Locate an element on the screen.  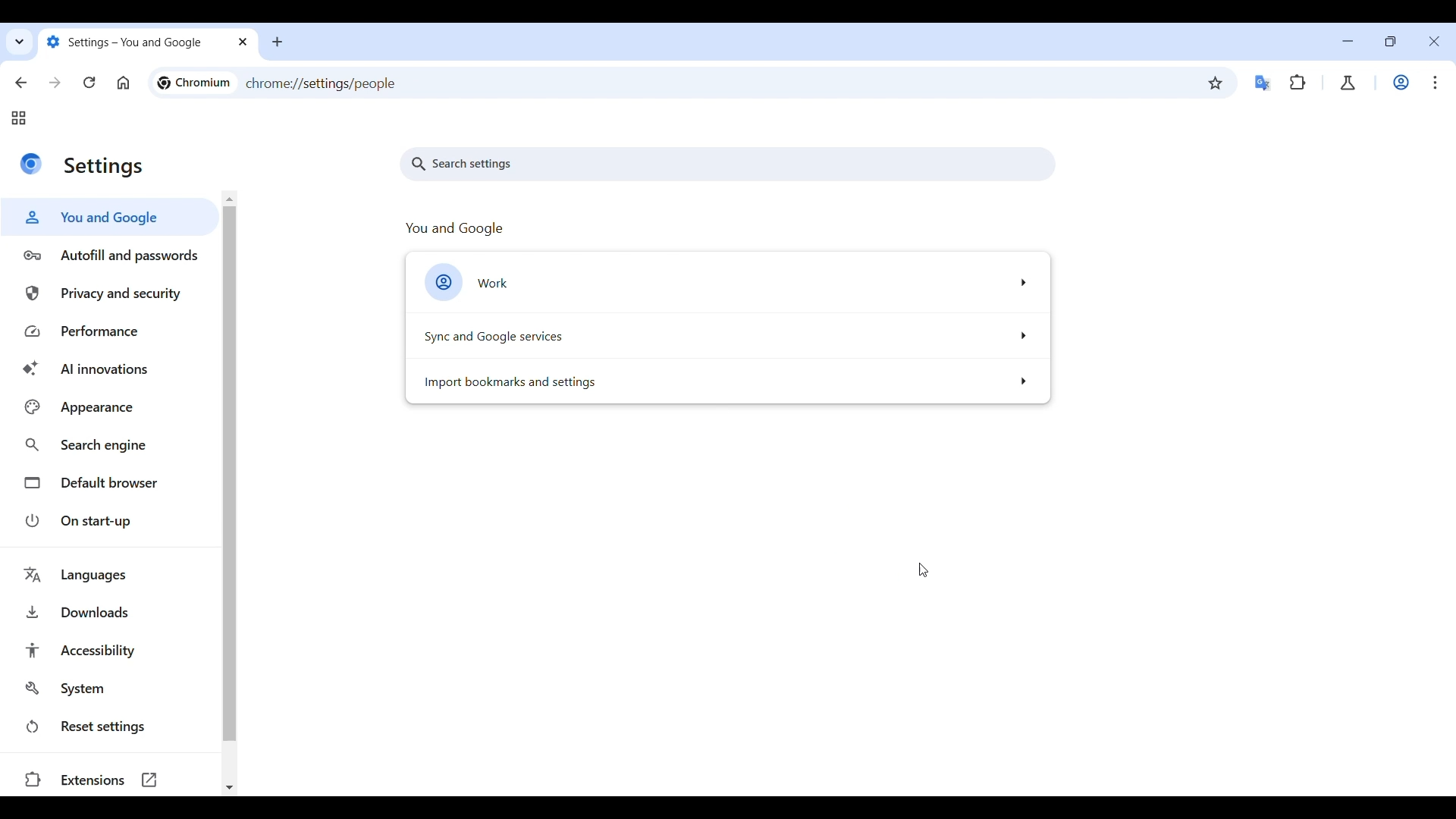
Search tabs is located at coordinates (20, 42).